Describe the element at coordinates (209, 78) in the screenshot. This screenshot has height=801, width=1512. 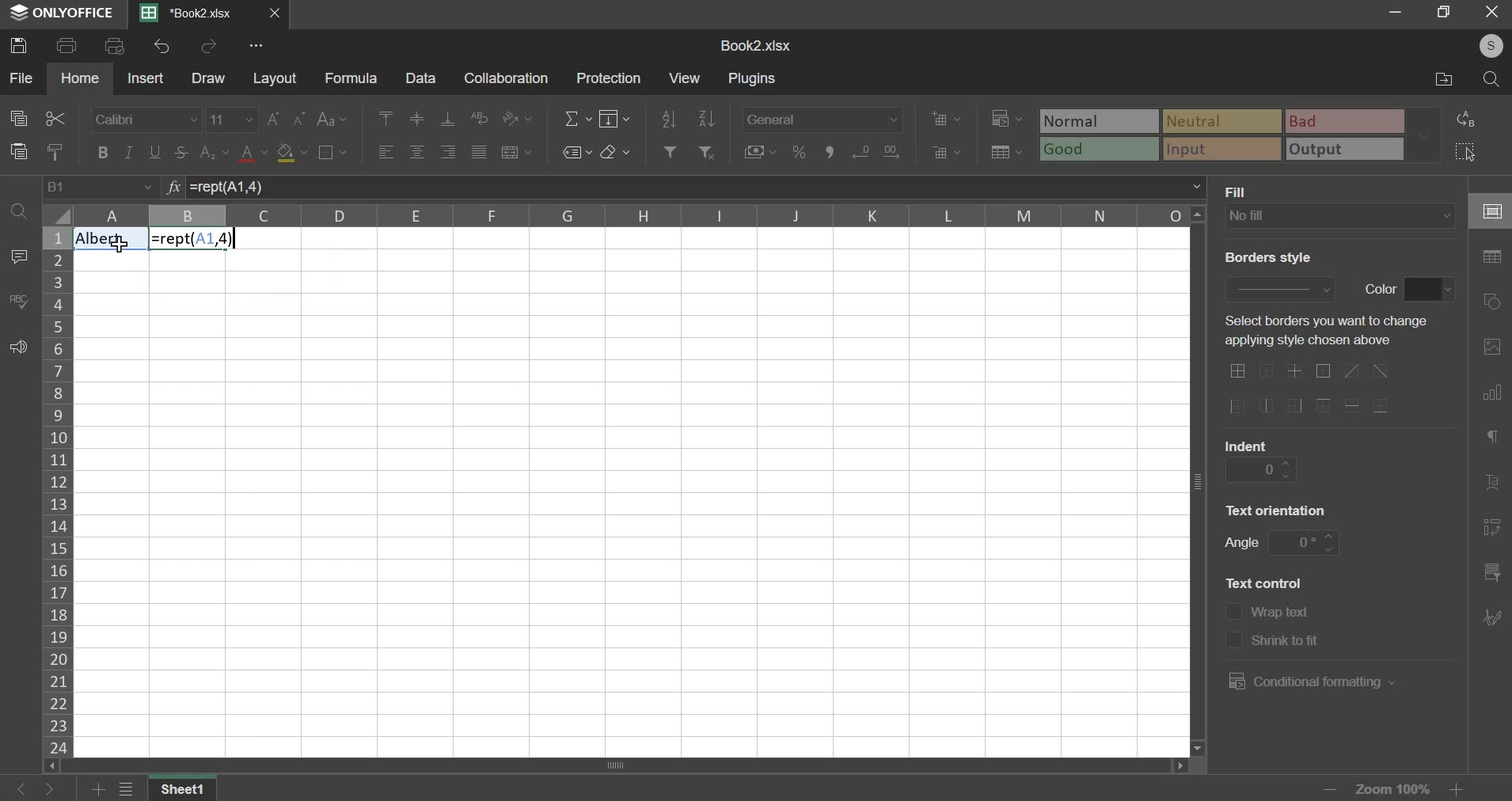
I see `draw` at that location.